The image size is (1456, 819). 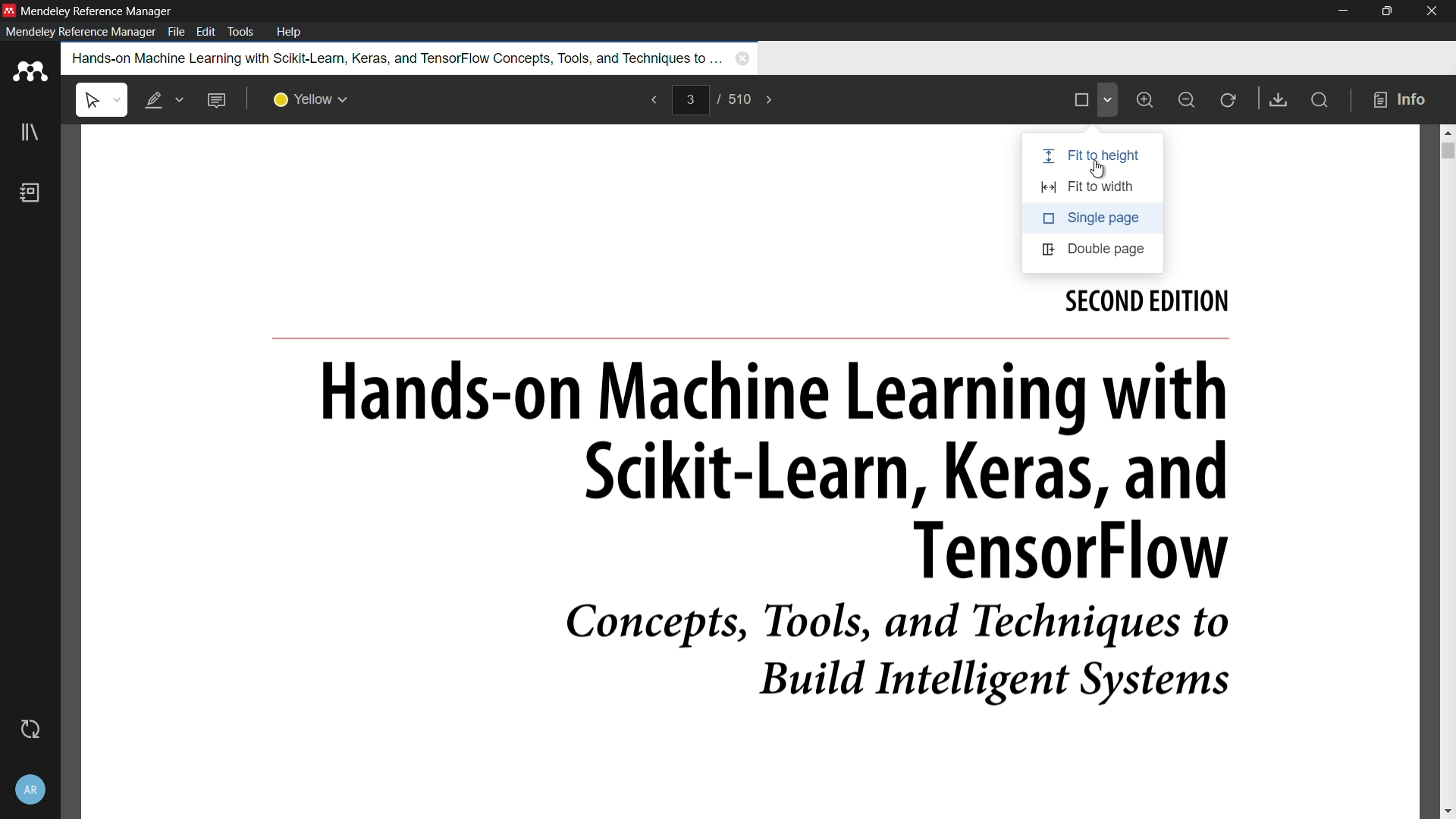 I want to click on minimize, so click(x=1341, y=11).